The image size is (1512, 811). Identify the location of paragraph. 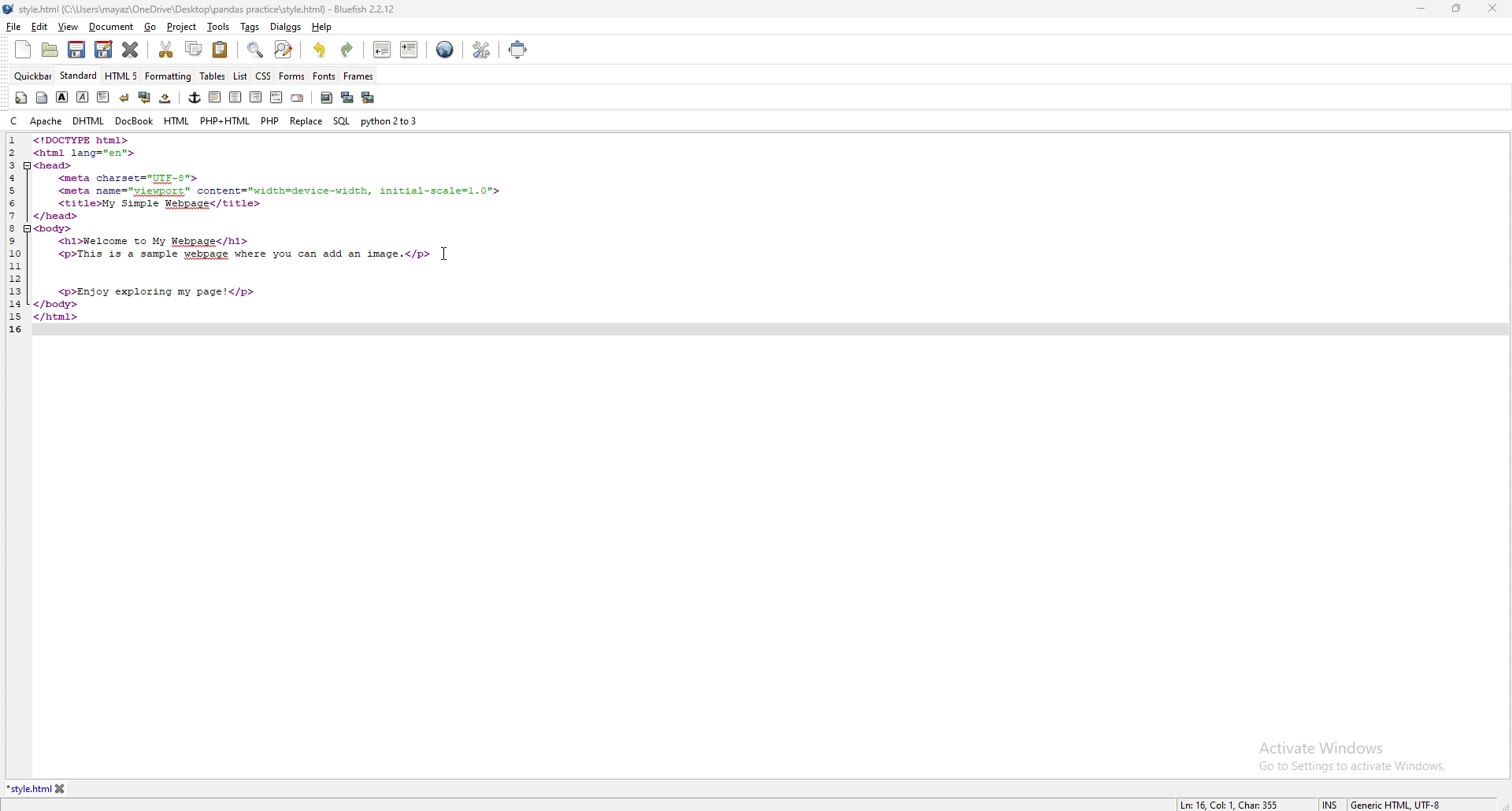
(103, 97).